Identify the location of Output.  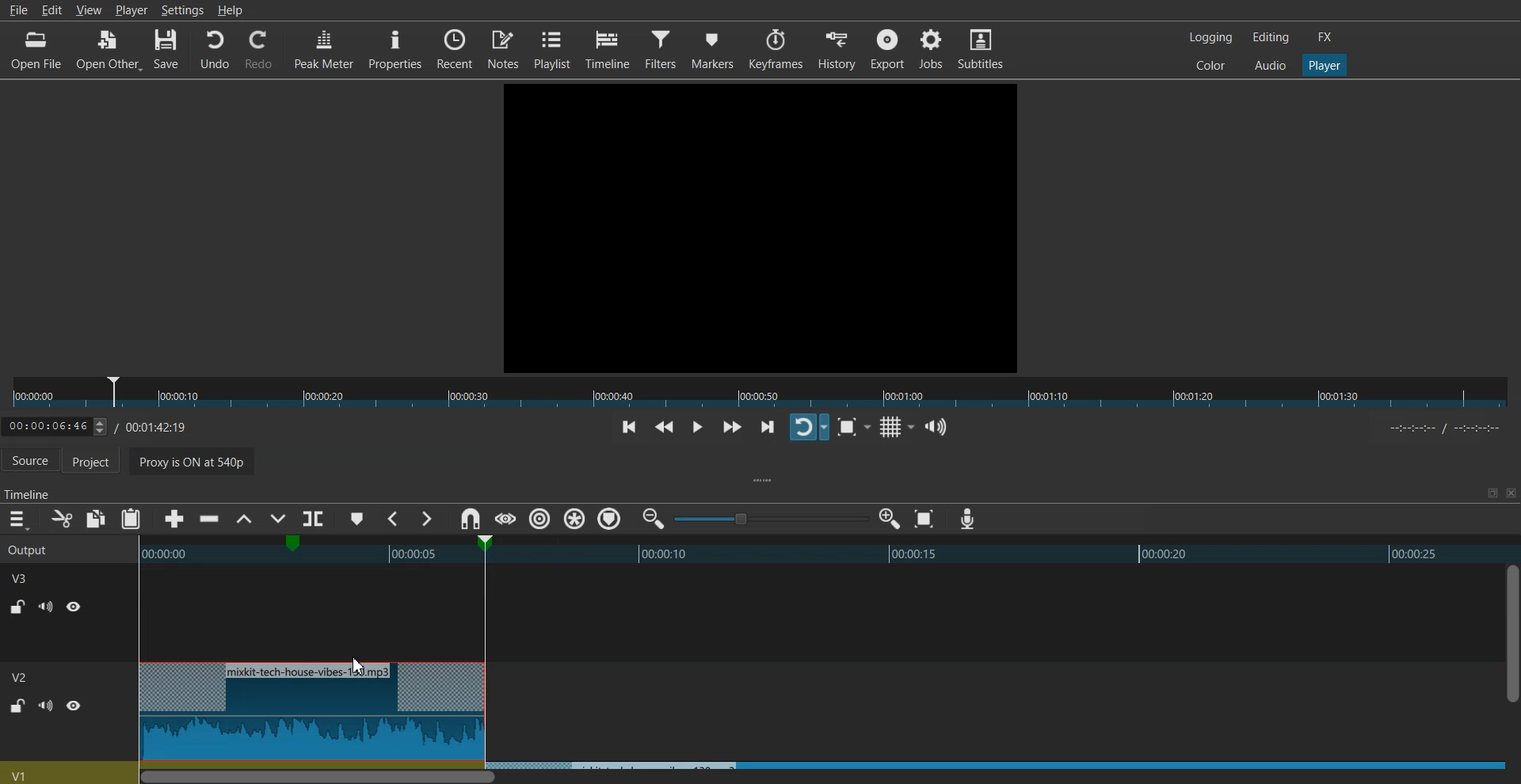
(49, 548).